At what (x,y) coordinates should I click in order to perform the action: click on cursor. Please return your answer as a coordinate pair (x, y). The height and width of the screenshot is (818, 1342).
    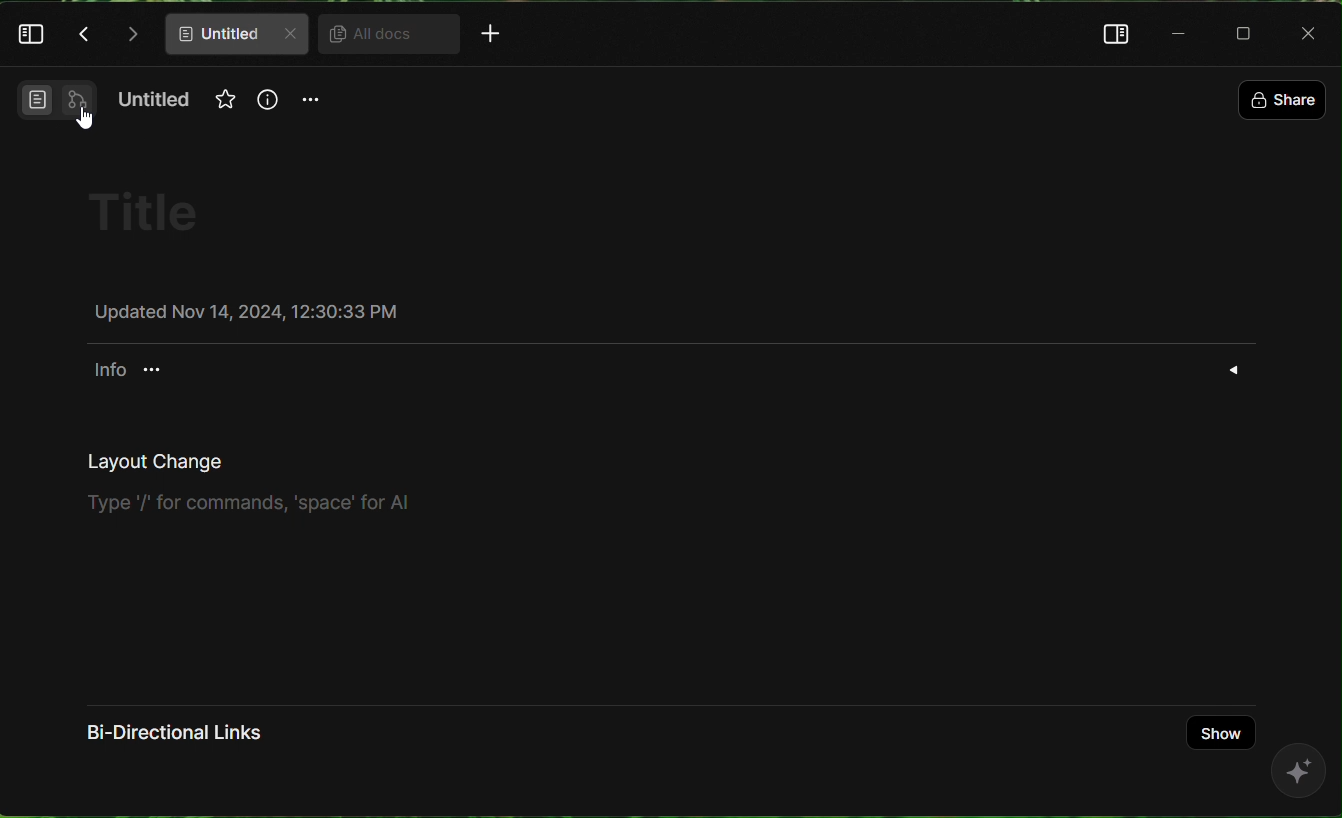
    Looking at the image, I should click on (86, 125).